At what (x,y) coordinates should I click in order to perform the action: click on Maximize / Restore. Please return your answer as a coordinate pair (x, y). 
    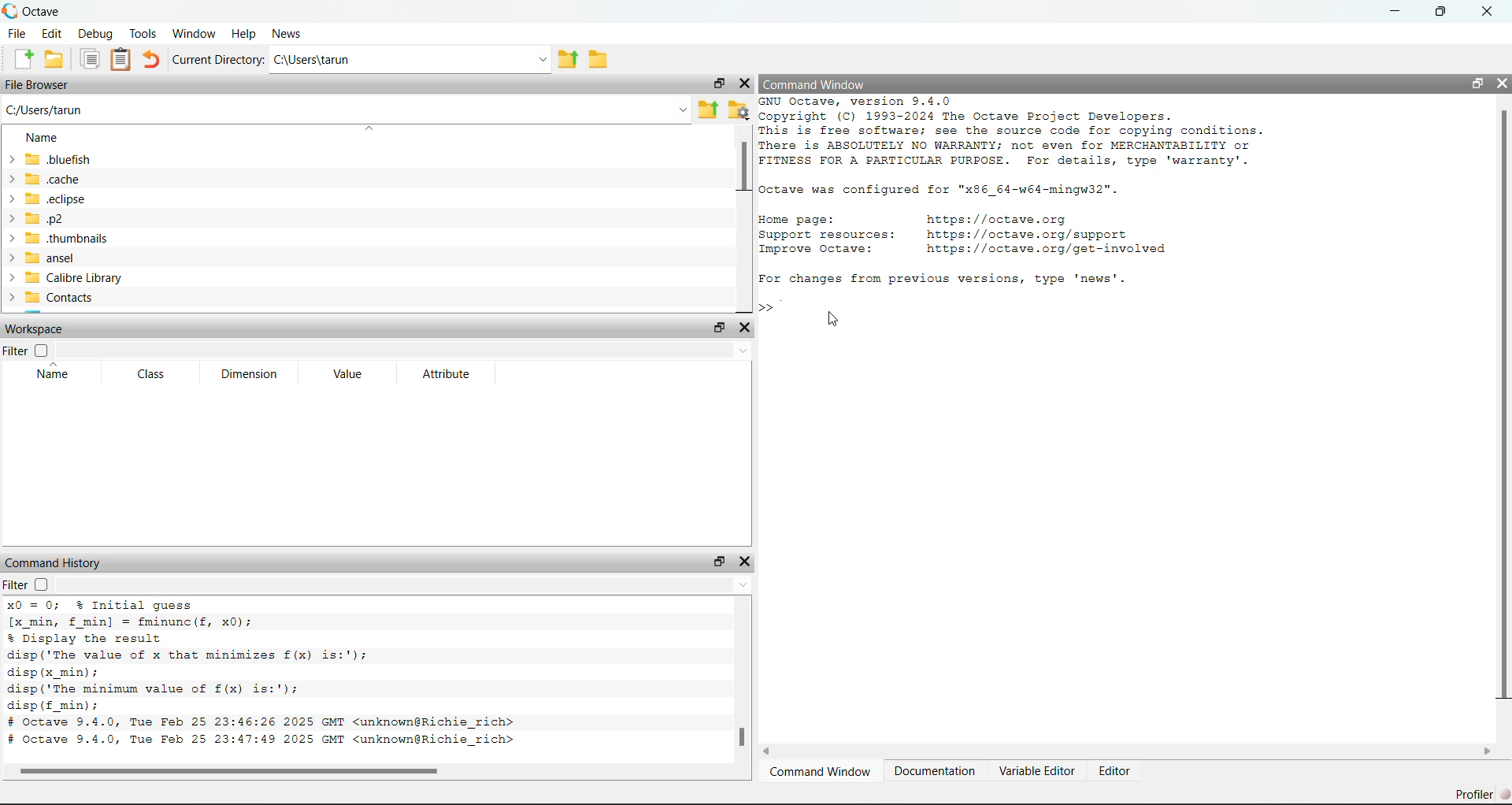
    Looking at the image, I should click on (717, 558).